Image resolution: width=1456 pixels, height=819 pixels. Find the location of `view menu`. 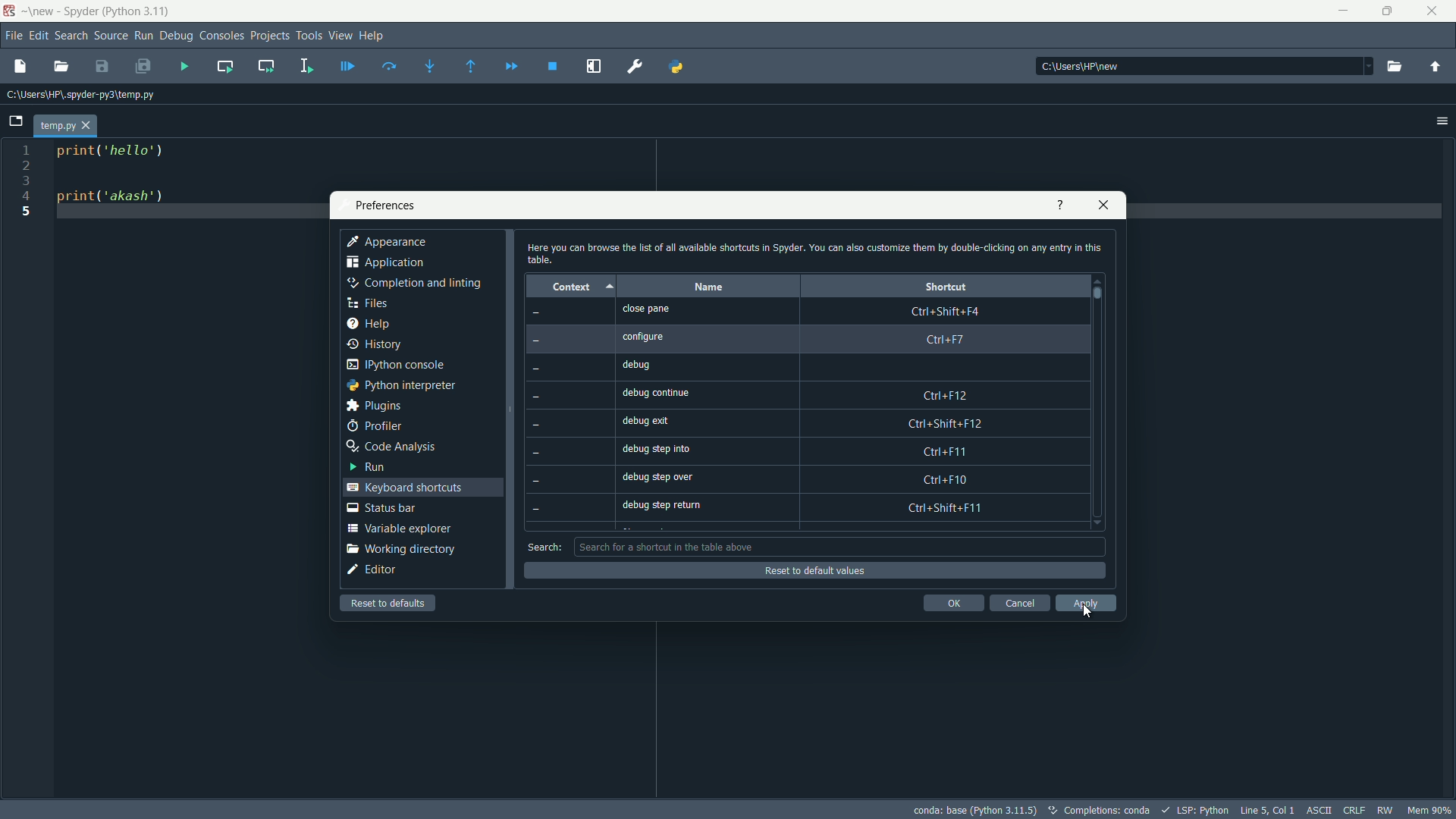

view menu is located at coordinates (340, 36).